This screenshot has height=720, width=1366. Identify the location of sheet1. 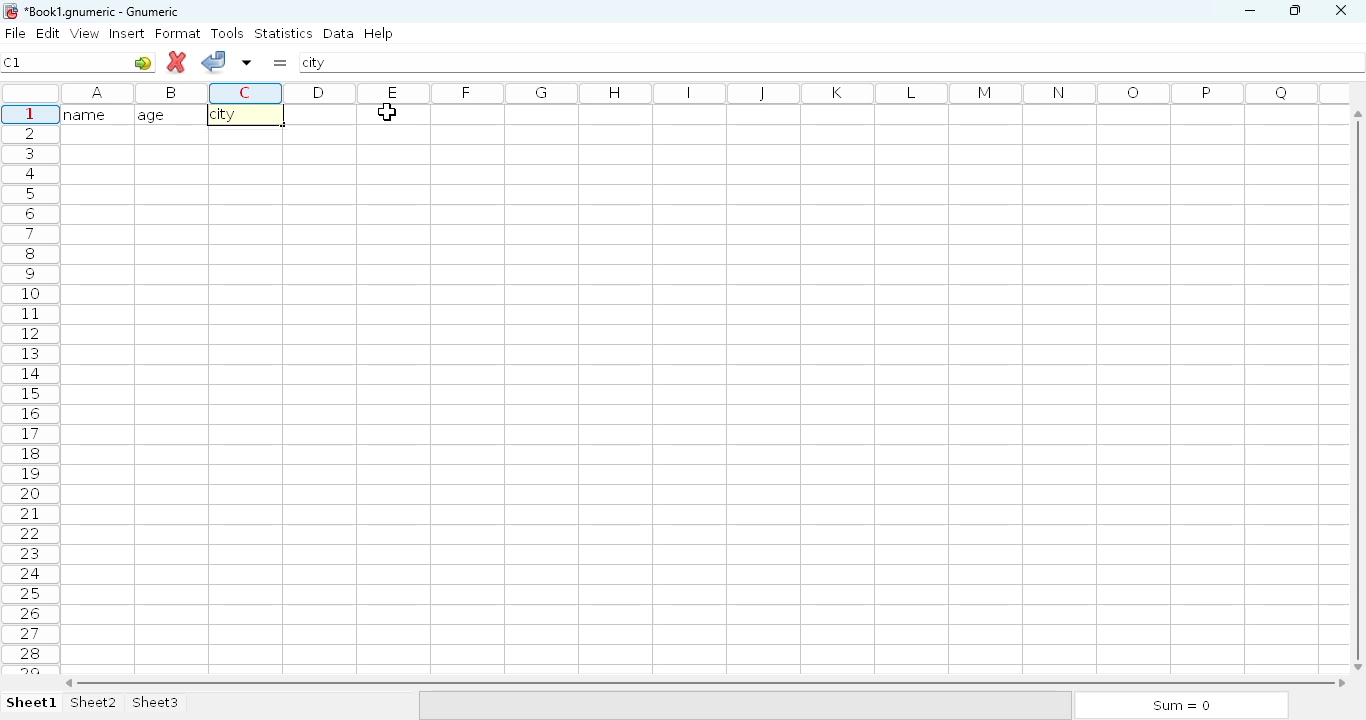
(32, 703).